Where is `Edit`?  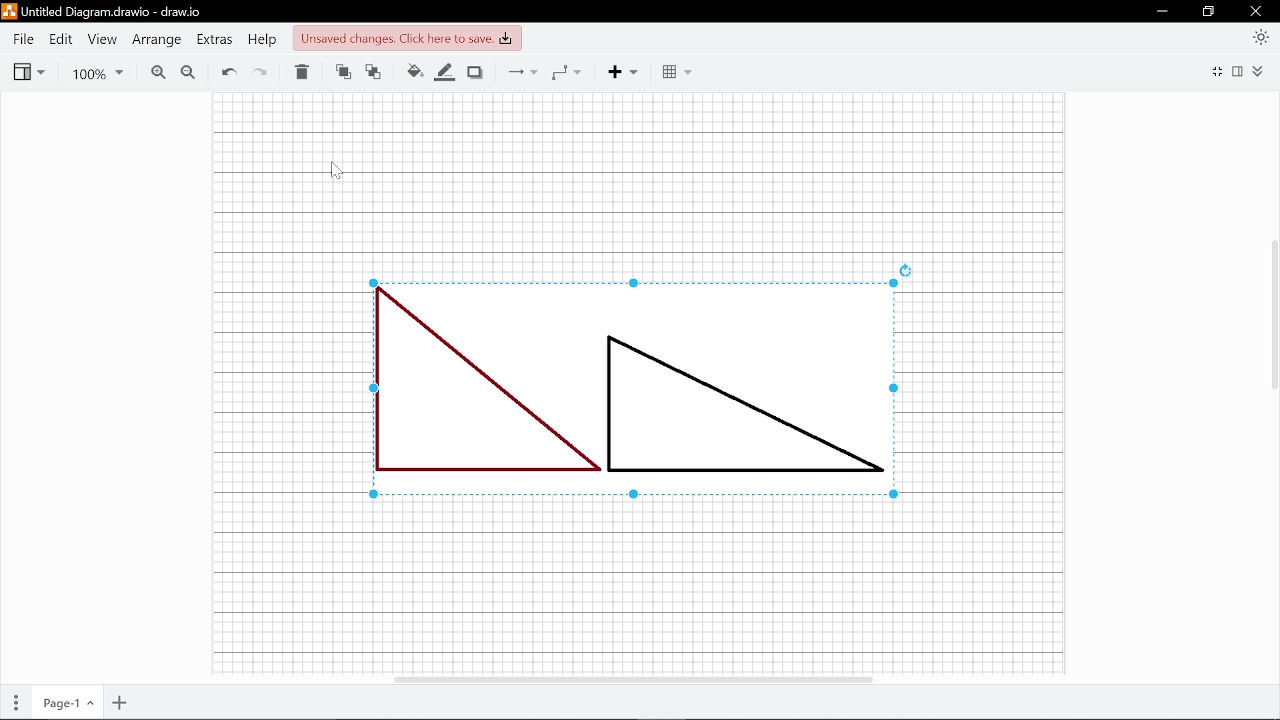
Edit is located at coordinates (60, 41).